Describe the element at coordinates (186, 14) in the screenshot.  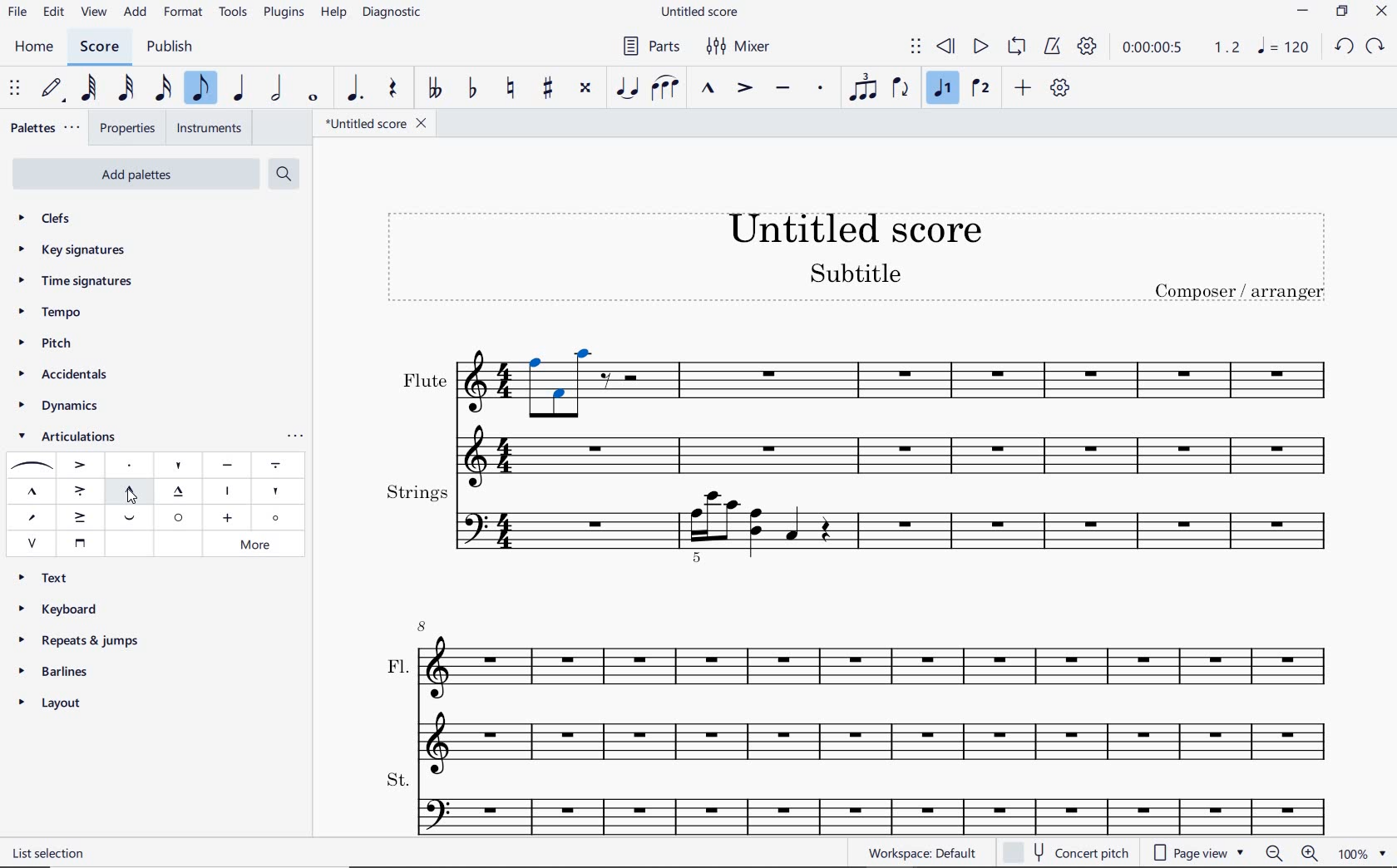
I see `FORMAT` at that location.